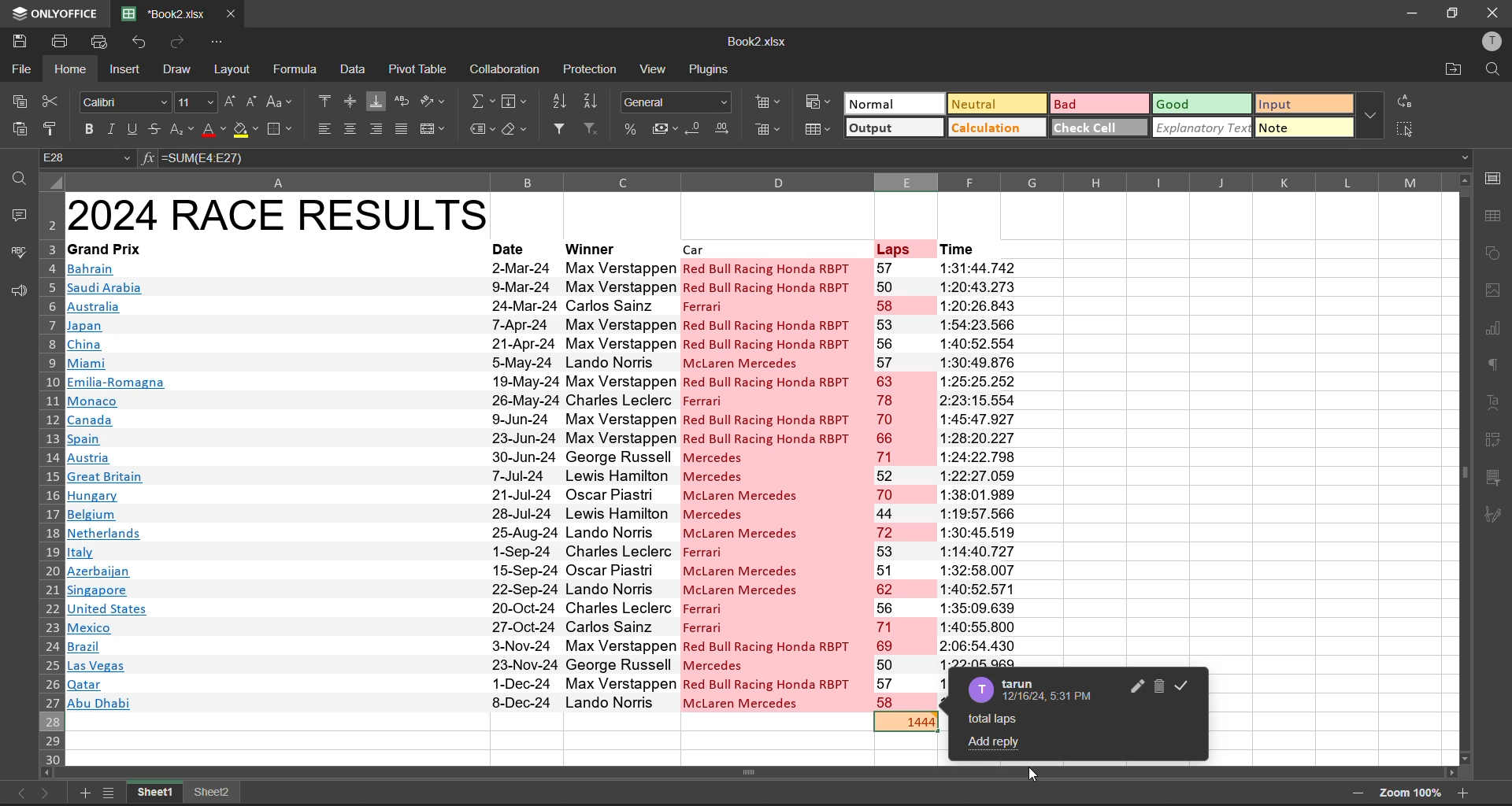  I want to click on zoom in, so click(1462, 794).